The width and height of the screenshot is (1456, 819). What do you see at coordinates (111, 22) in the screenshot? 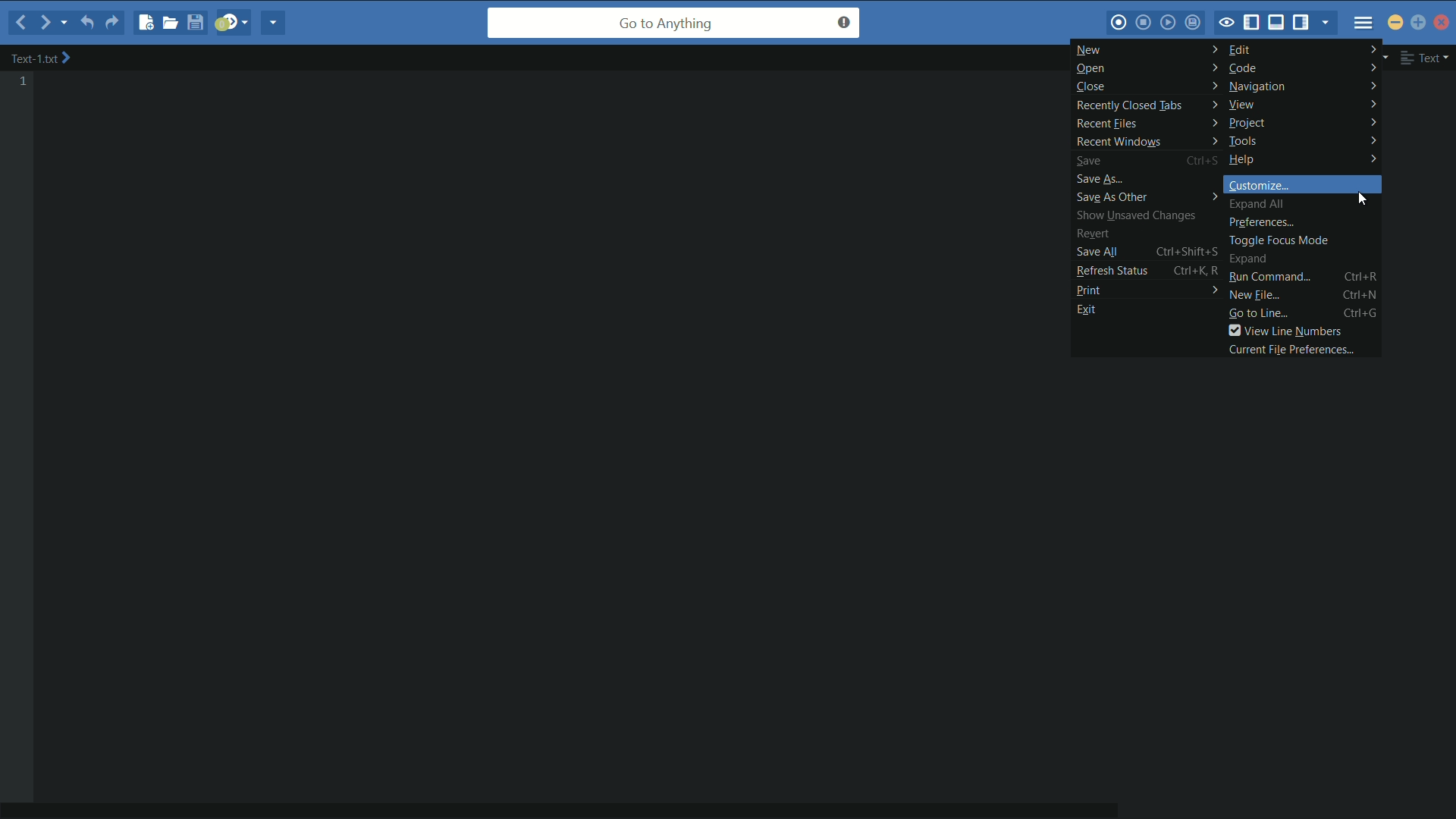
I see `redo` at bounding box center [111, 22].